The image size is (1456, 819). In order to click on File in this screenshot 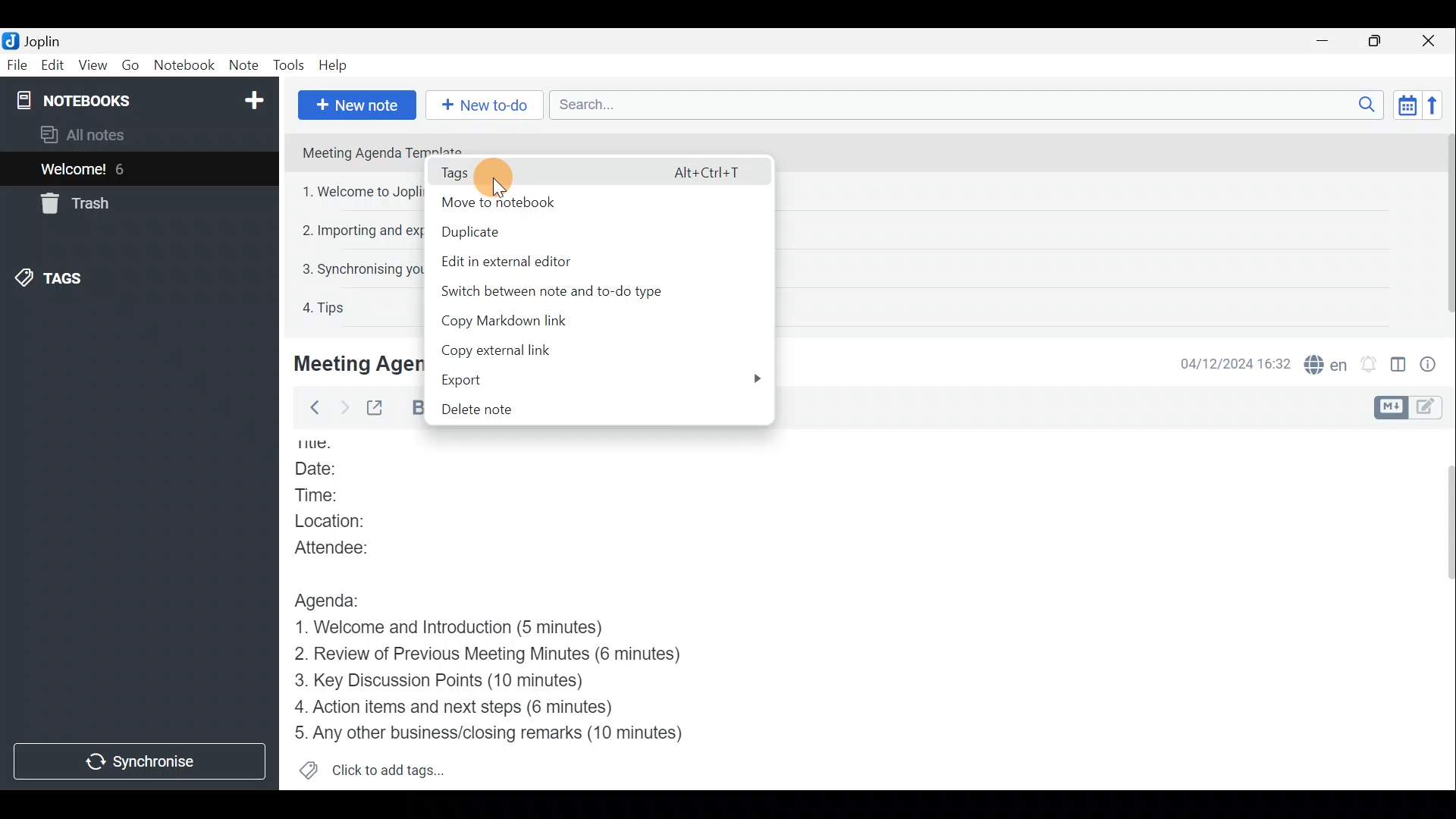, I will do `click(17, 64)`.